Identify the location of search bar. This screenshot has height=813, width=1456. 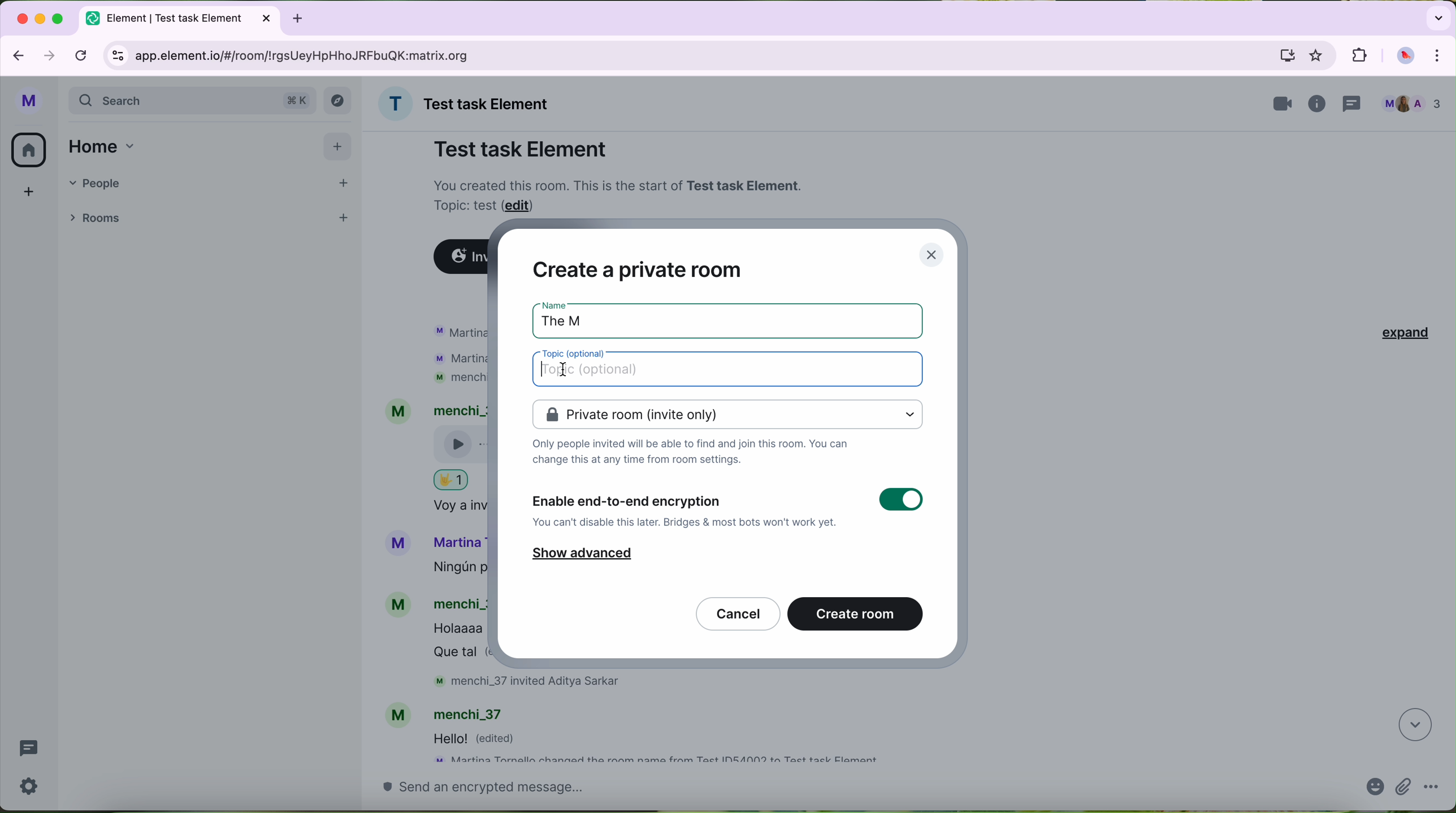
(193, 102).